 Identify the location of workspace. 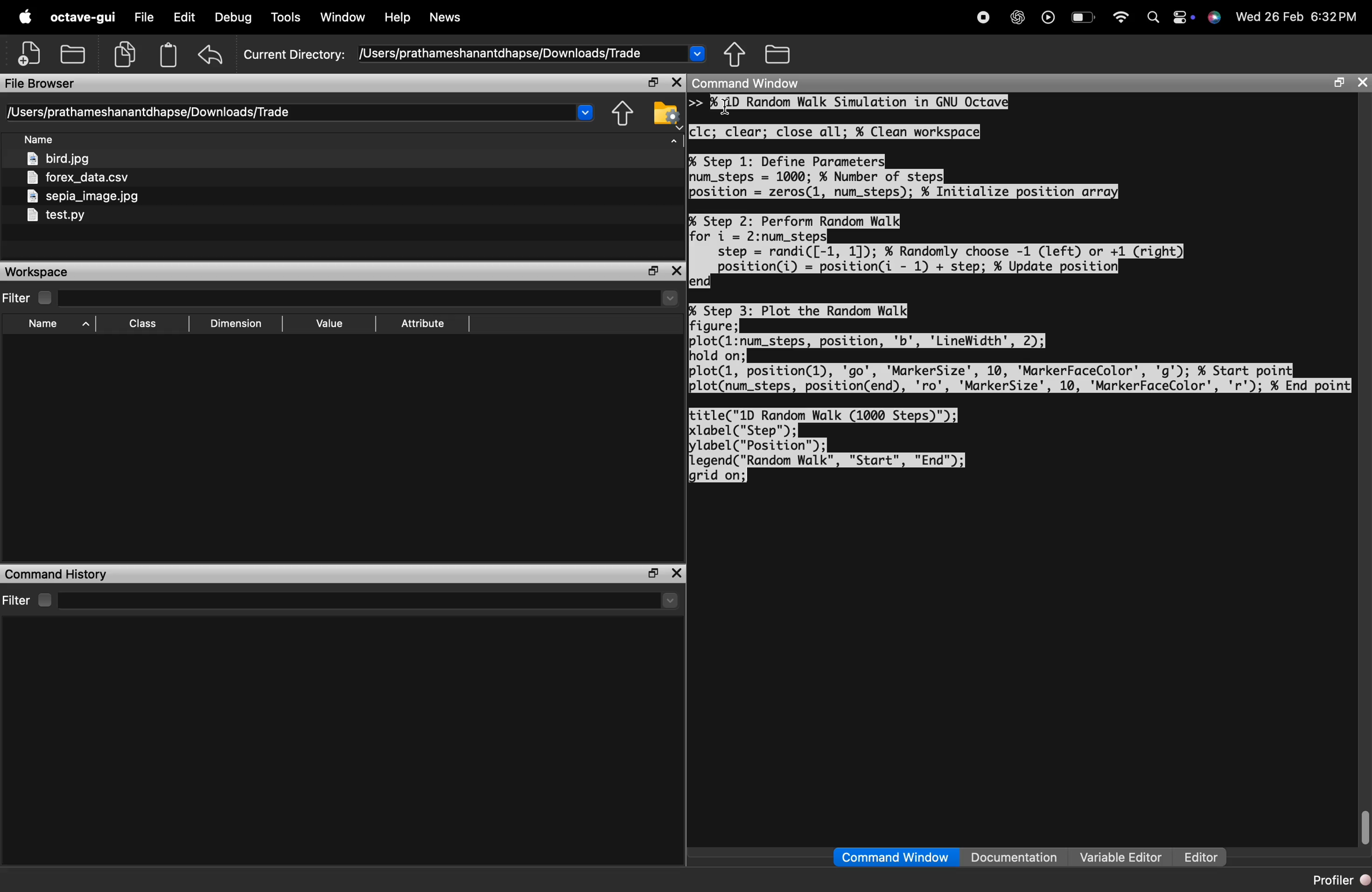
(43, 272).